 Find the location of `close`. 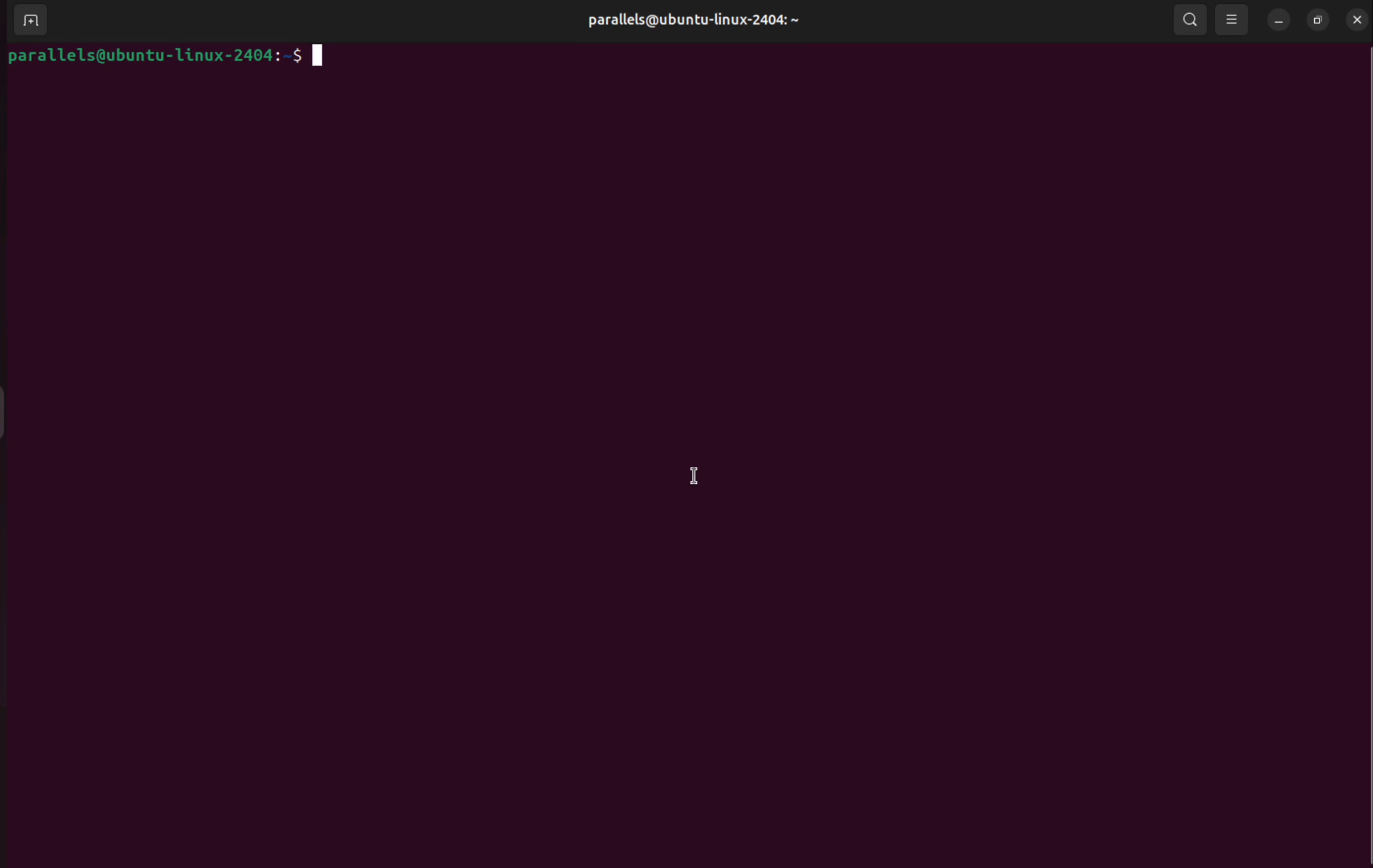

close is located at coordinates (1355, 19).